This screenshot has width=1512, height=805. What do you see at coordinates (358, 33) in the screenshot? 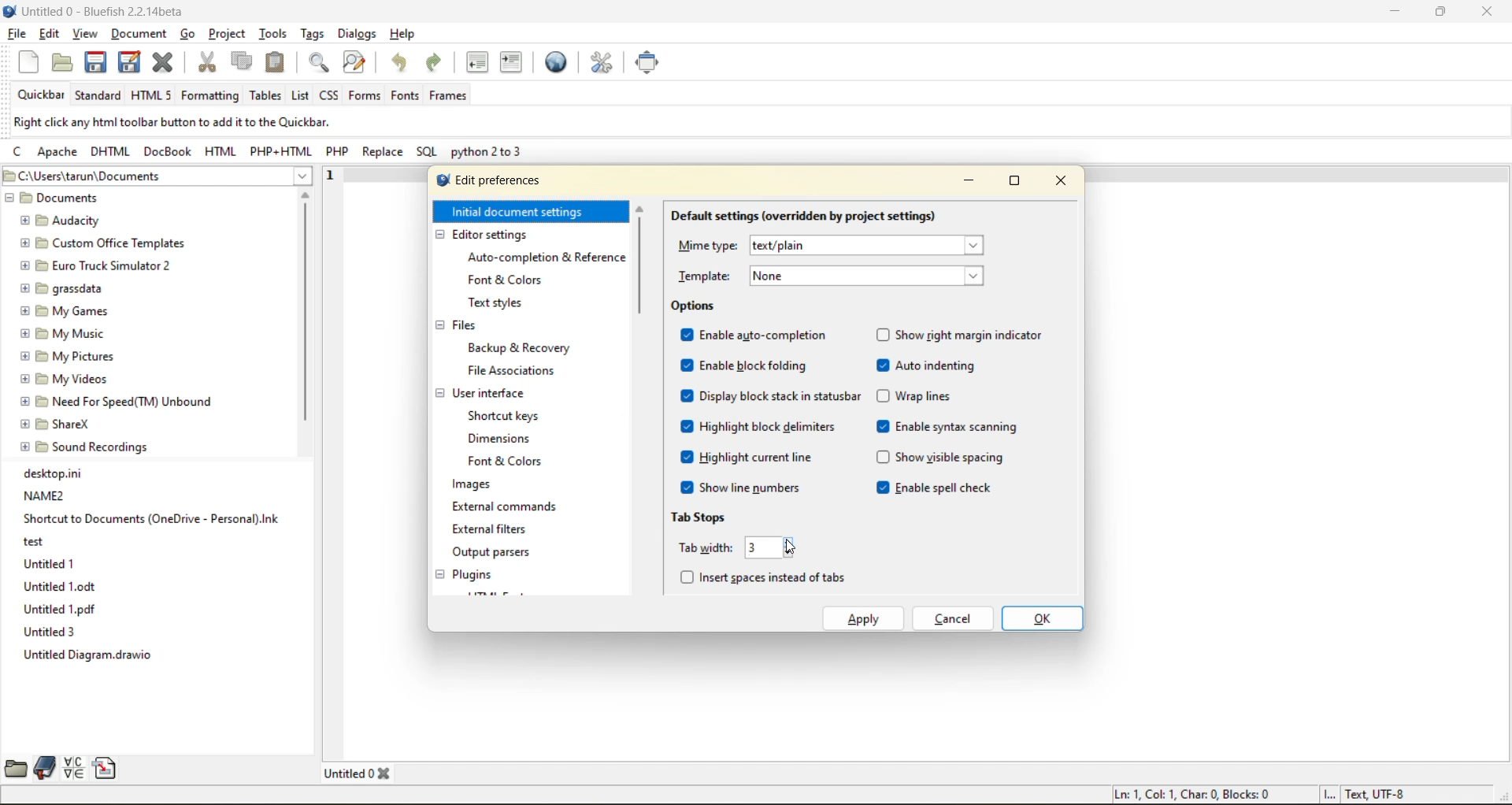
I see `dialogs` at bounding box center [358, 33].